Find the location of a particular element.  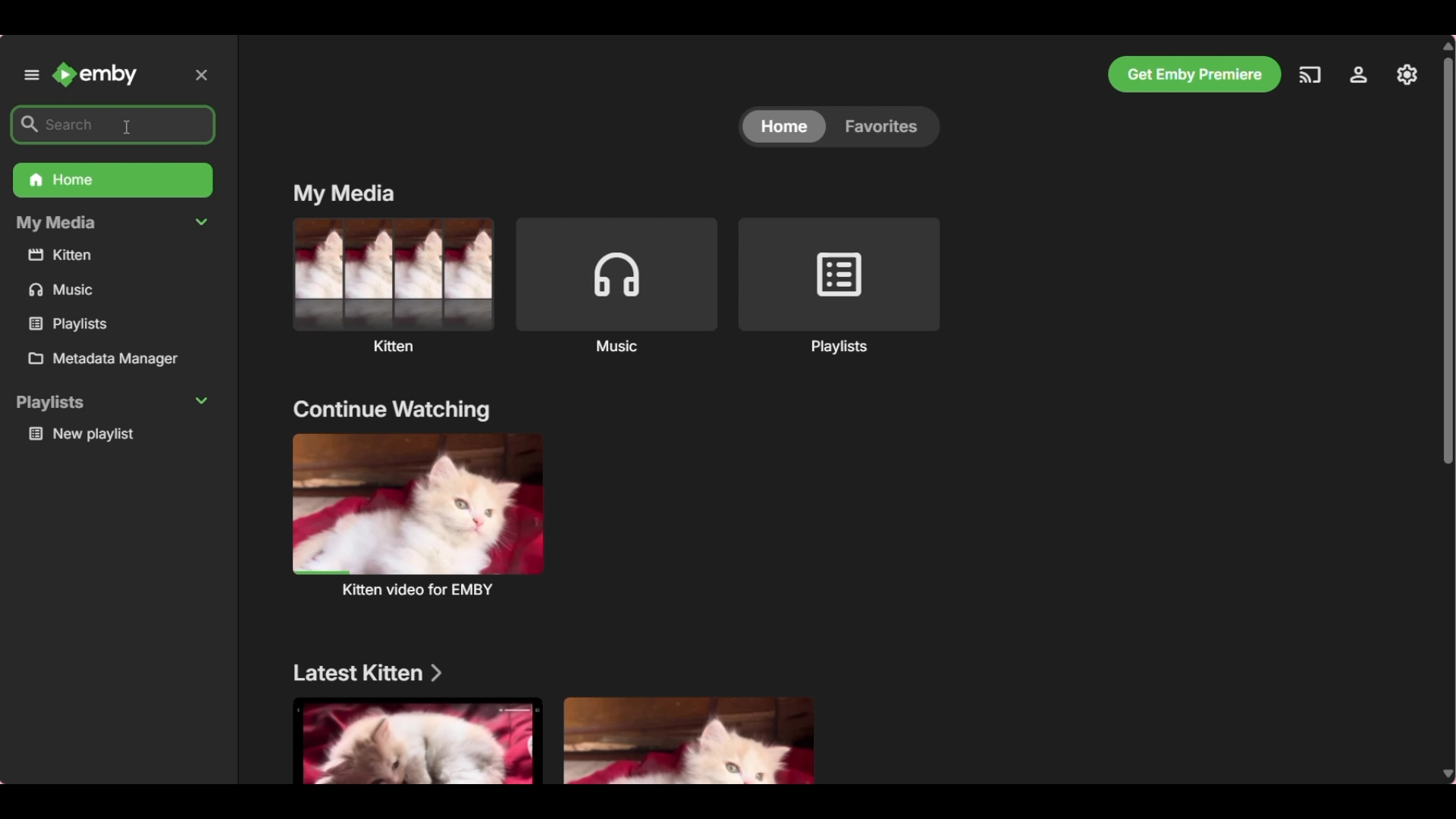

Latest kitten is located at coordinates (371, 673).